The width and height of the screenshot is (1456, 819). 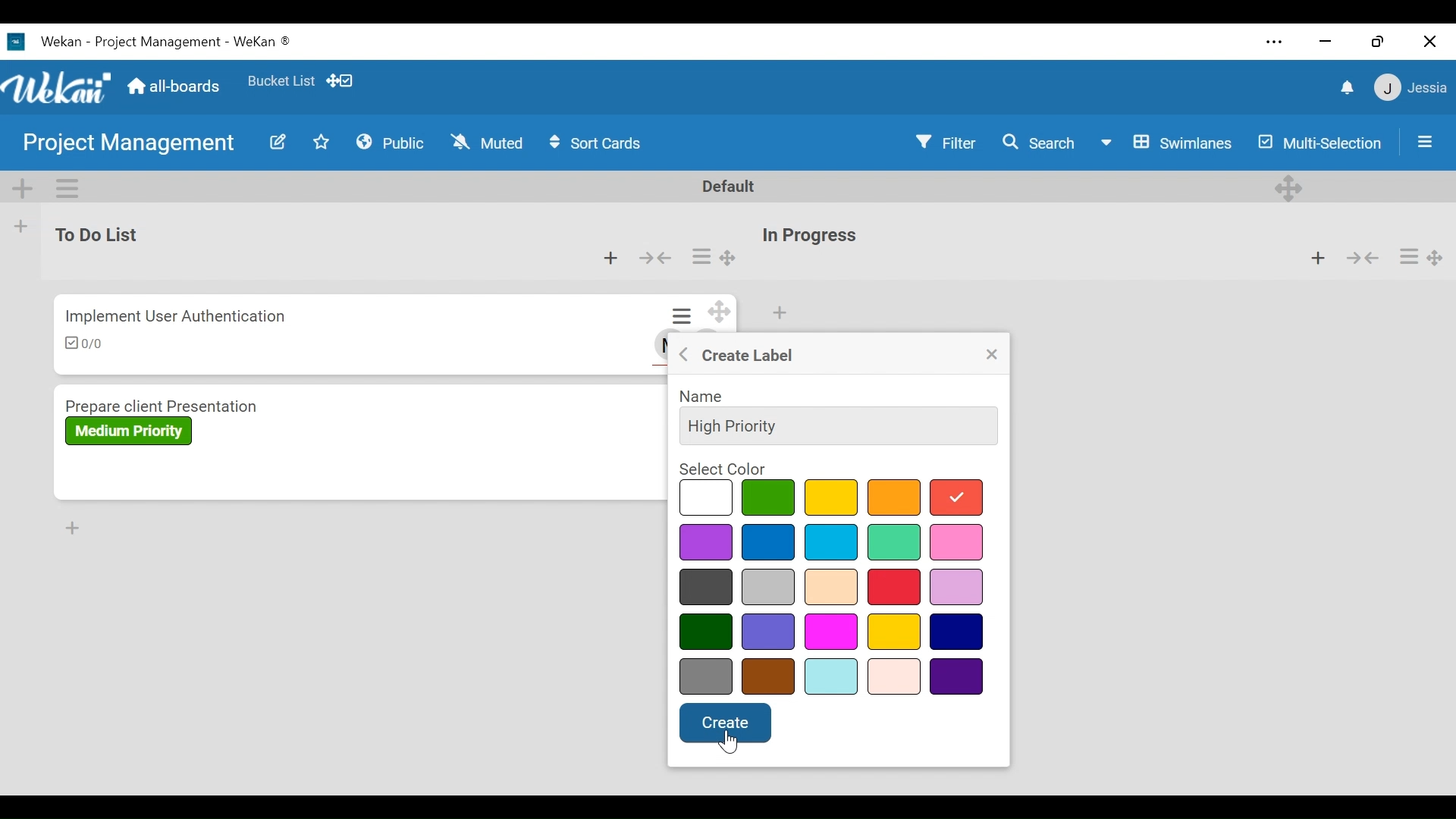 What do you see at coordinates (177, 315) in the screenshot?
I see `Card Title` at bounding box center [177, 315].